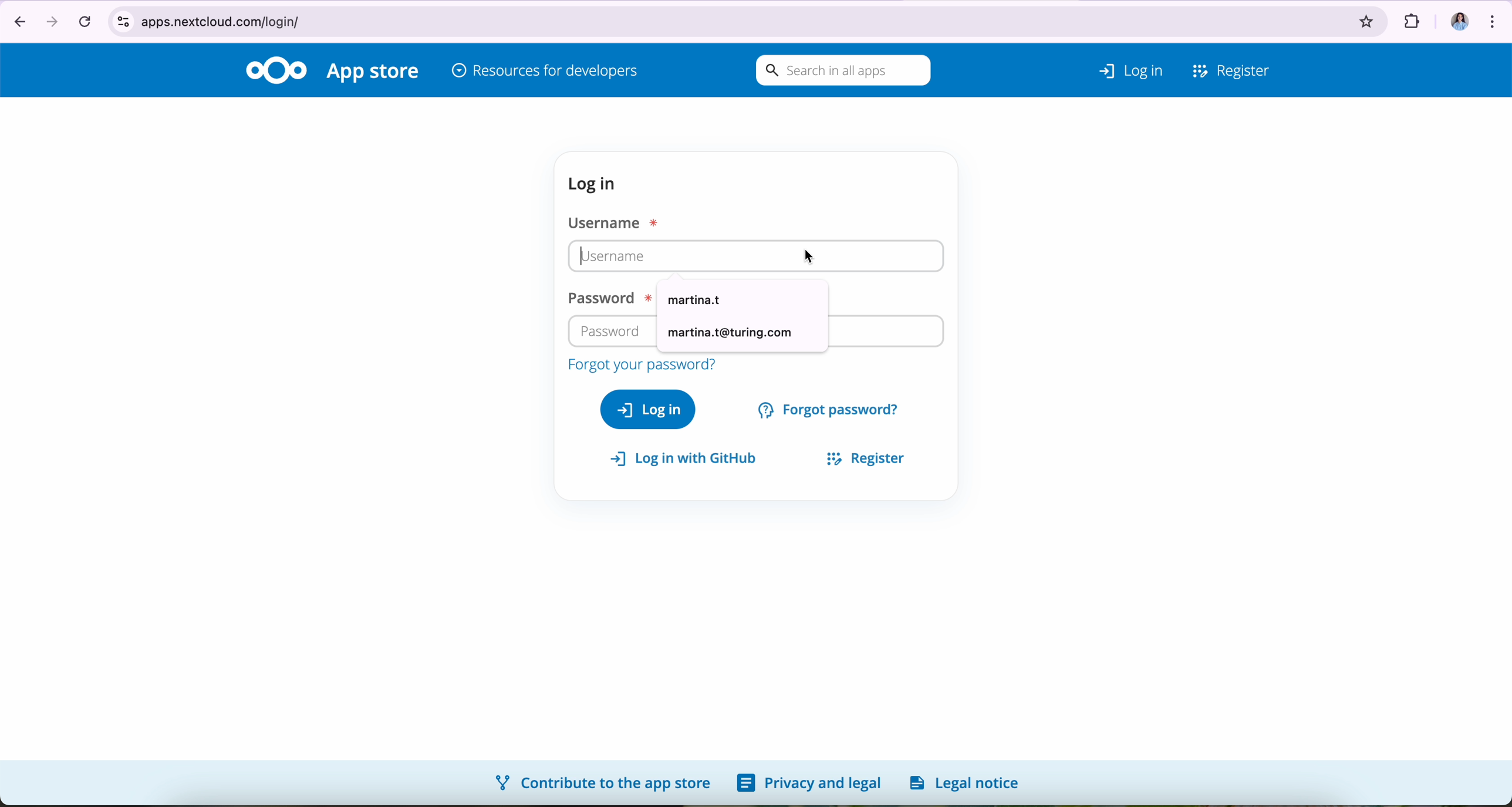 This screenshot has width=1512, height=807. I want to click on resources for developers, so click(545, 72).